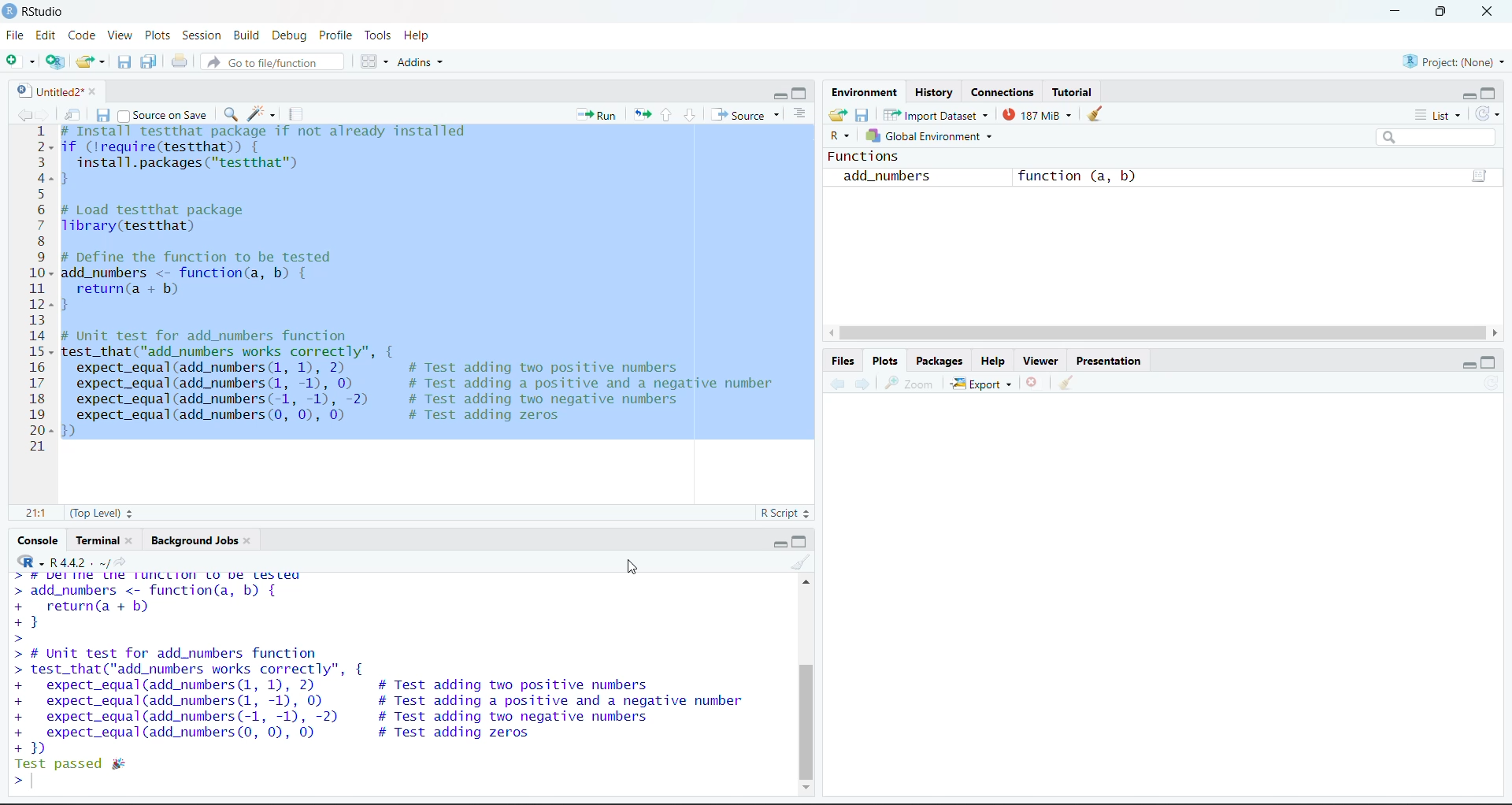  I want to click on Files, so click(843, 361).